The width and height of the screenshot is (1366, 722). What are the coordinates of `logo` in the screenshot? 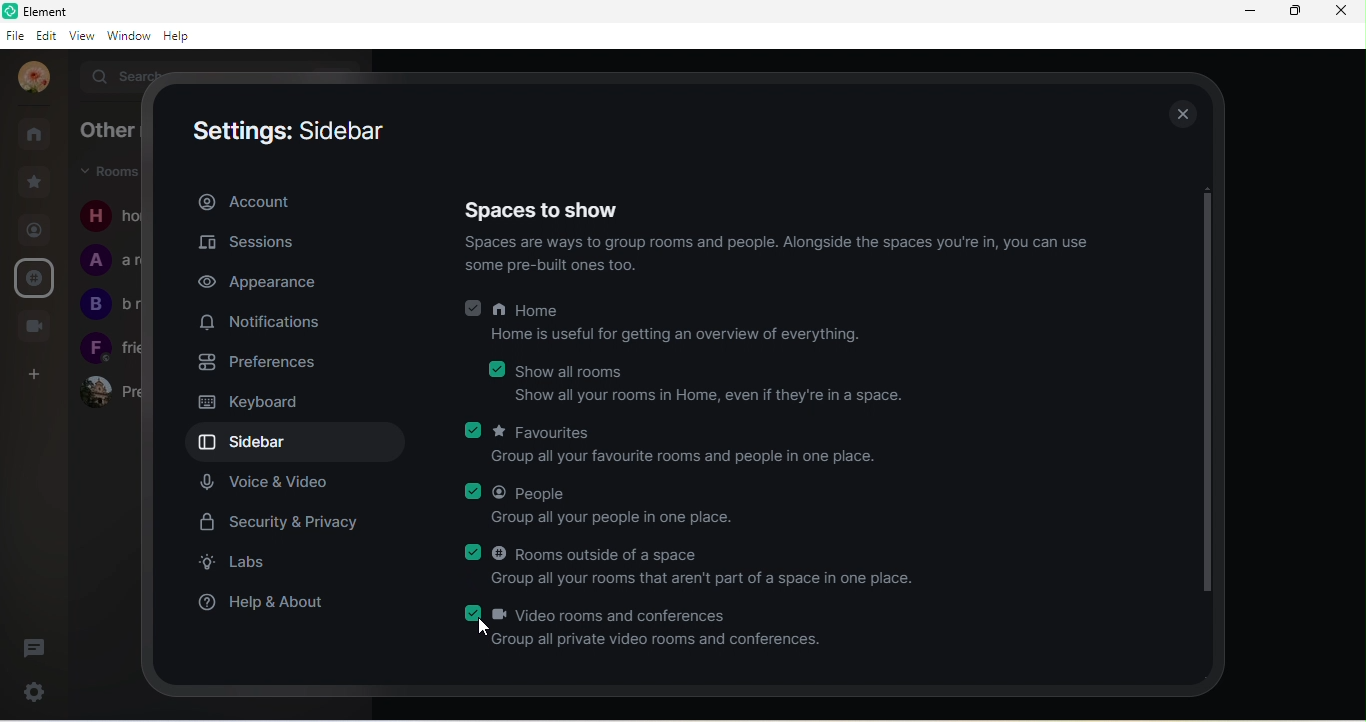 It's located at (12, 13).